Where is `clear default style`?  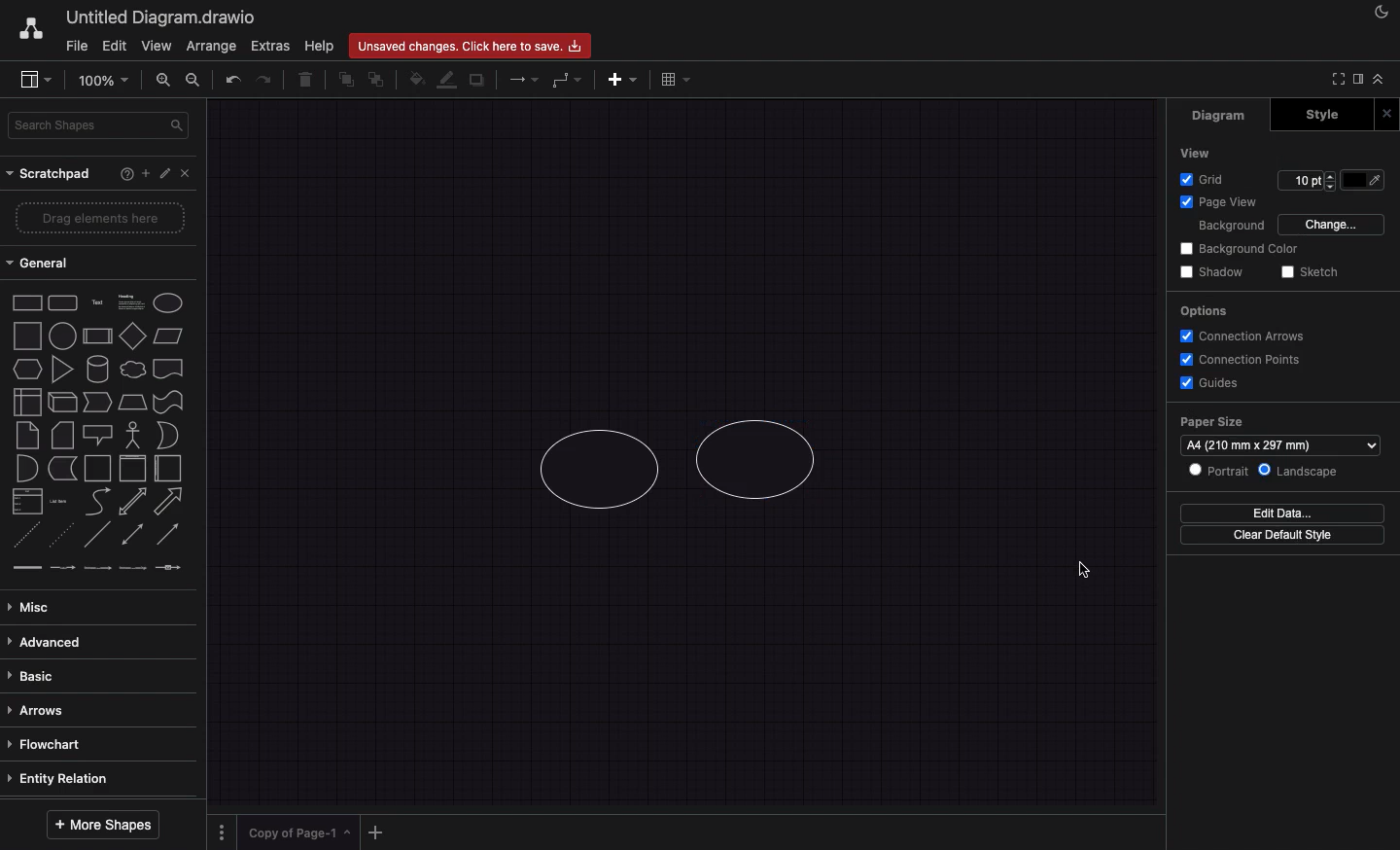 clear default style is located at coordinates (1282, 535).